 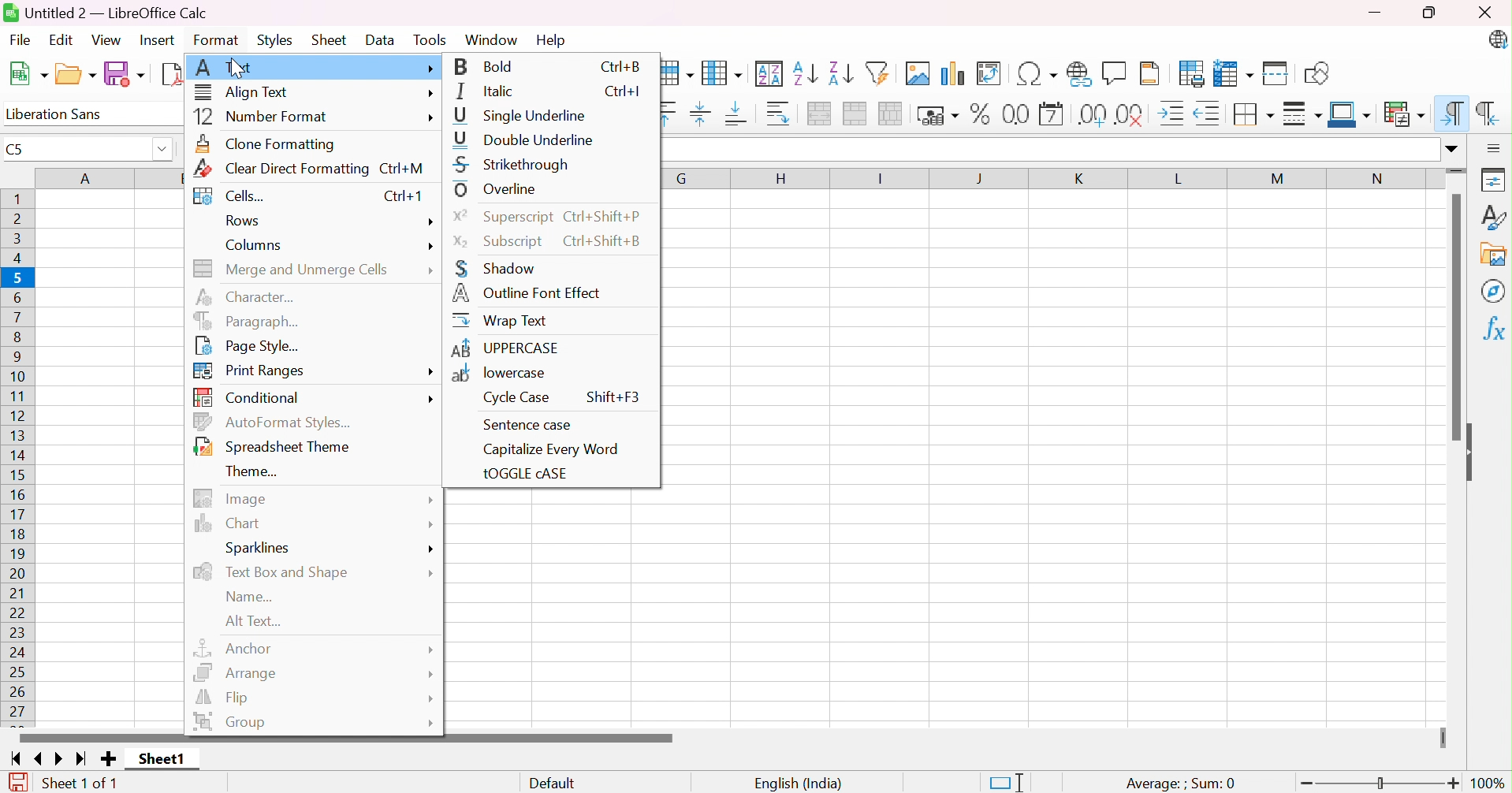 What do you see at coordinates (106, 12) in the screenshot?
I see `Untitled 4 - LibreOffice Calc` at bounding box center [106, 12].